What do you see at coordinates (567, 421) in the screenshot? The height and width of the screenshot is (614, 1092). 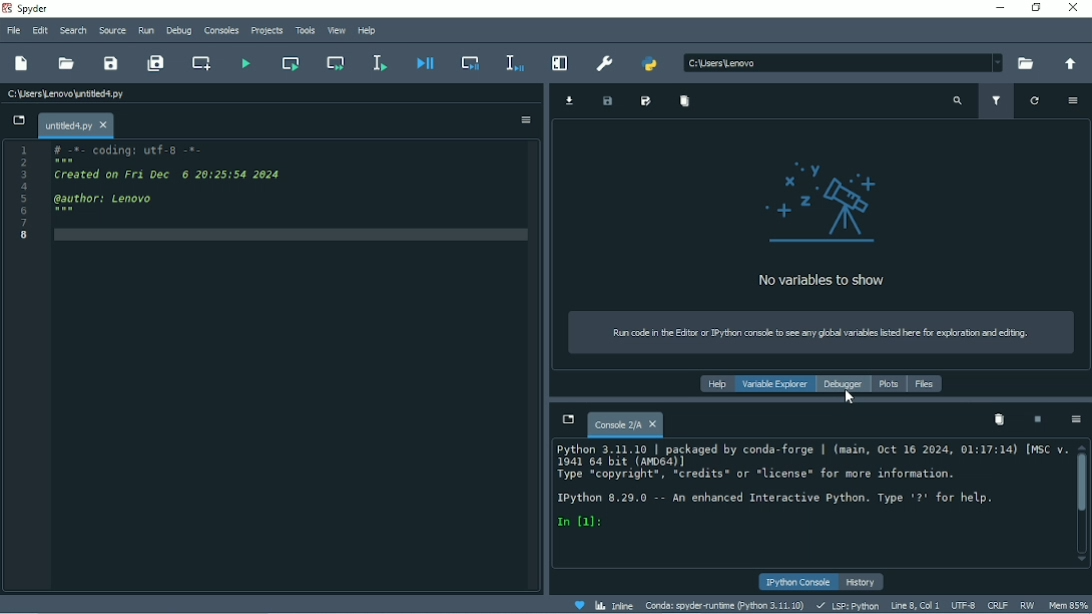 I see `Browse tabs` at bounding box center [567, 421].